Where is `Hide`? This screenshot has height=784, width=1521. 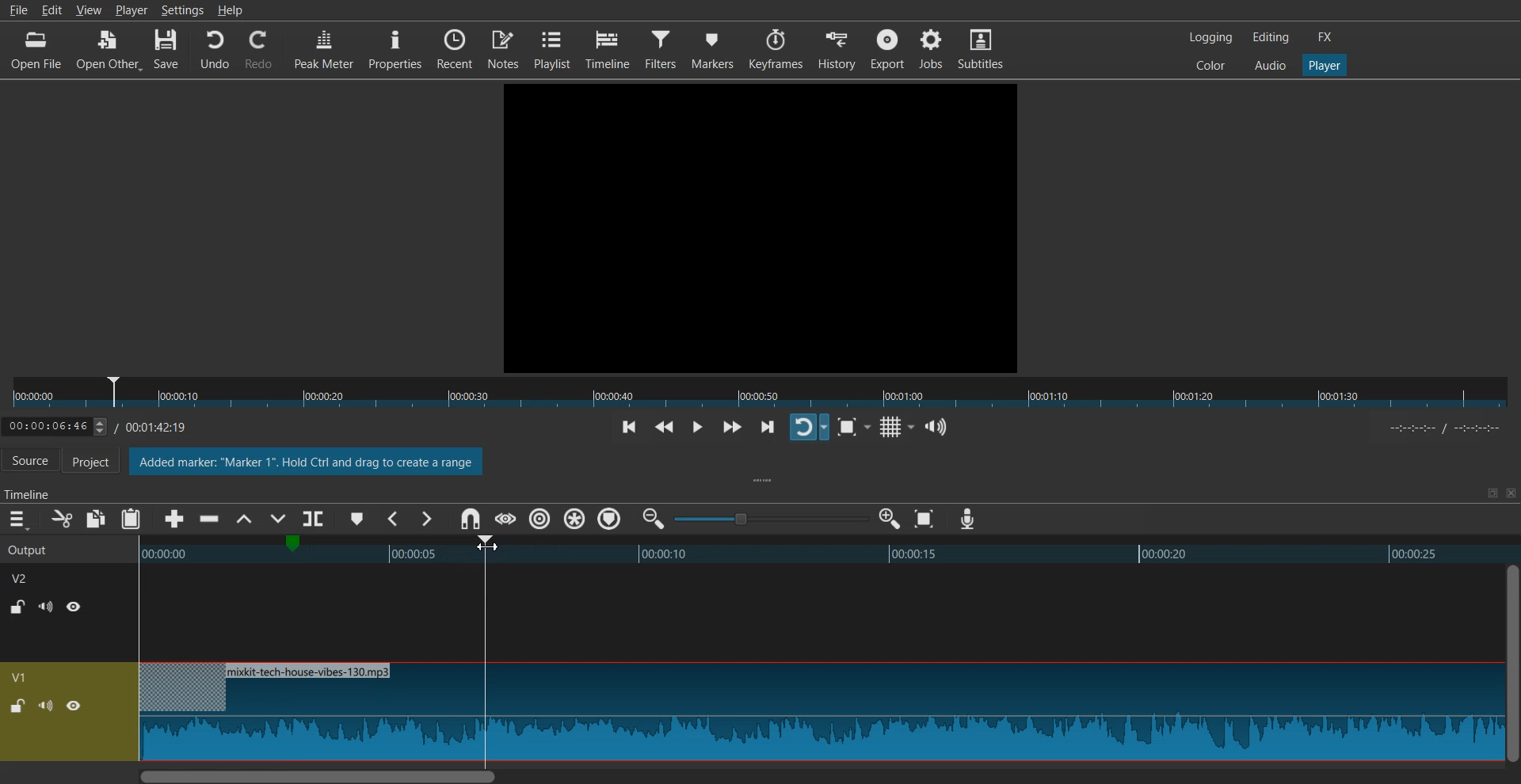
Hide is located at coordinates (74, 706).